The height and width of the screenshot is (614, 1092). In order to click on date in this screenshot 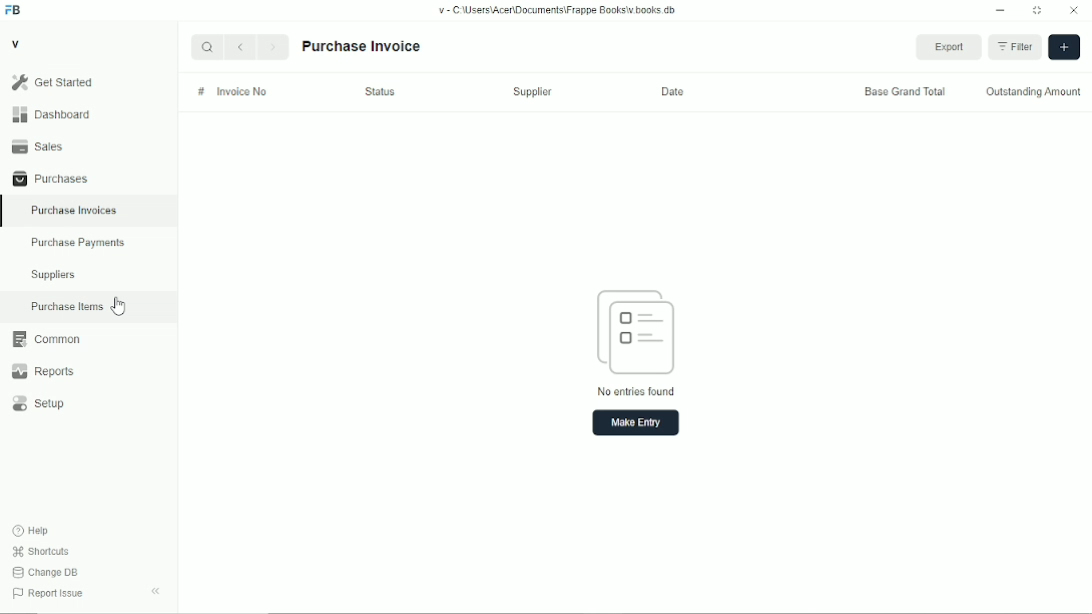, I will do `click(672, 92)`.